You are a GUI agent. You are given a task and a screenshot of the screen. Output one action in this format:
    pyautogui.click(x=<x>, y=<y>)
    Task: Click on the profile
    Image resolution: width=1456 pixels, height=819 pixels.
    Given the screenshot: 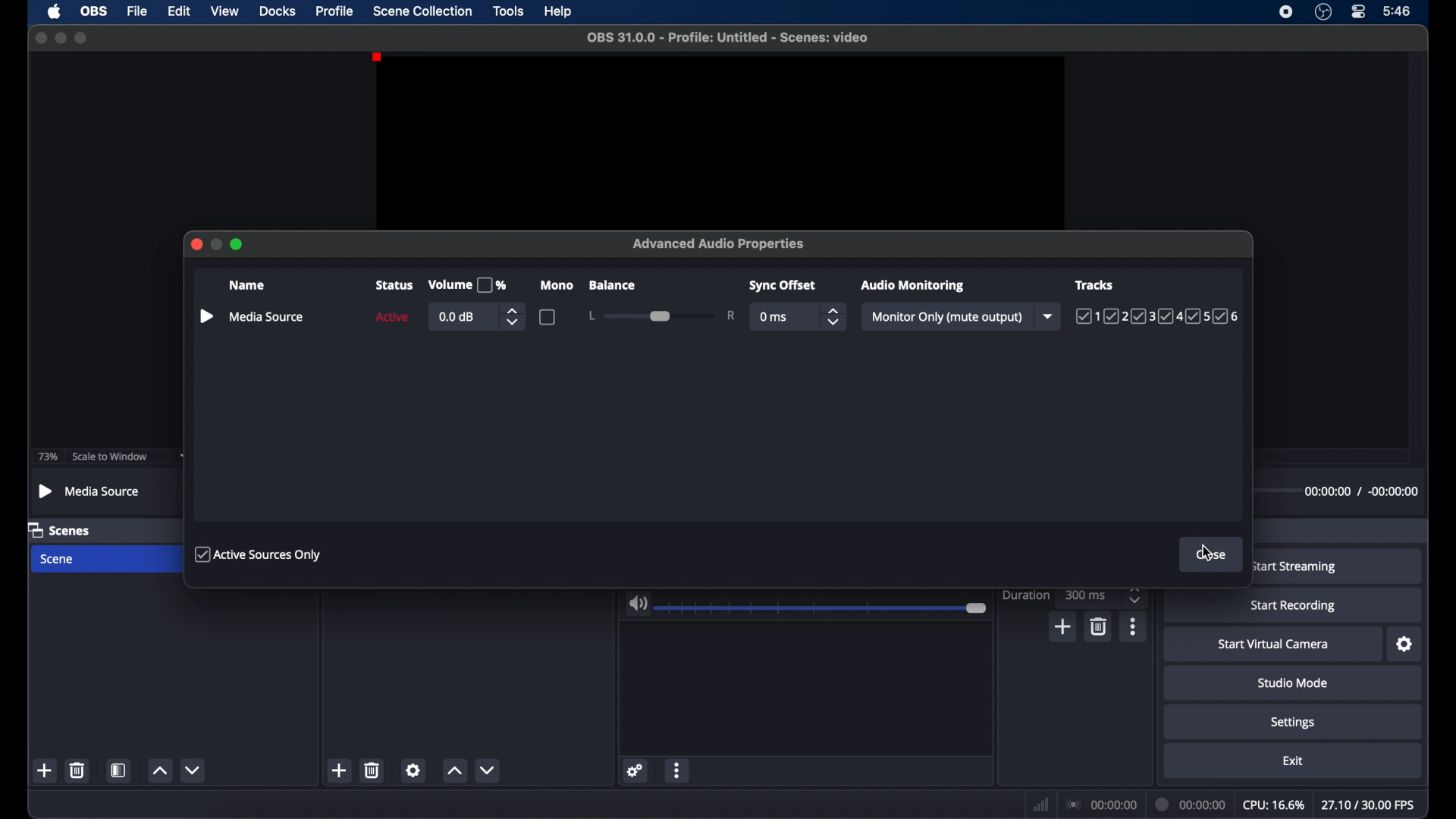 What is the action you would take?
    pyautogui.click(x=335, y=10)
    